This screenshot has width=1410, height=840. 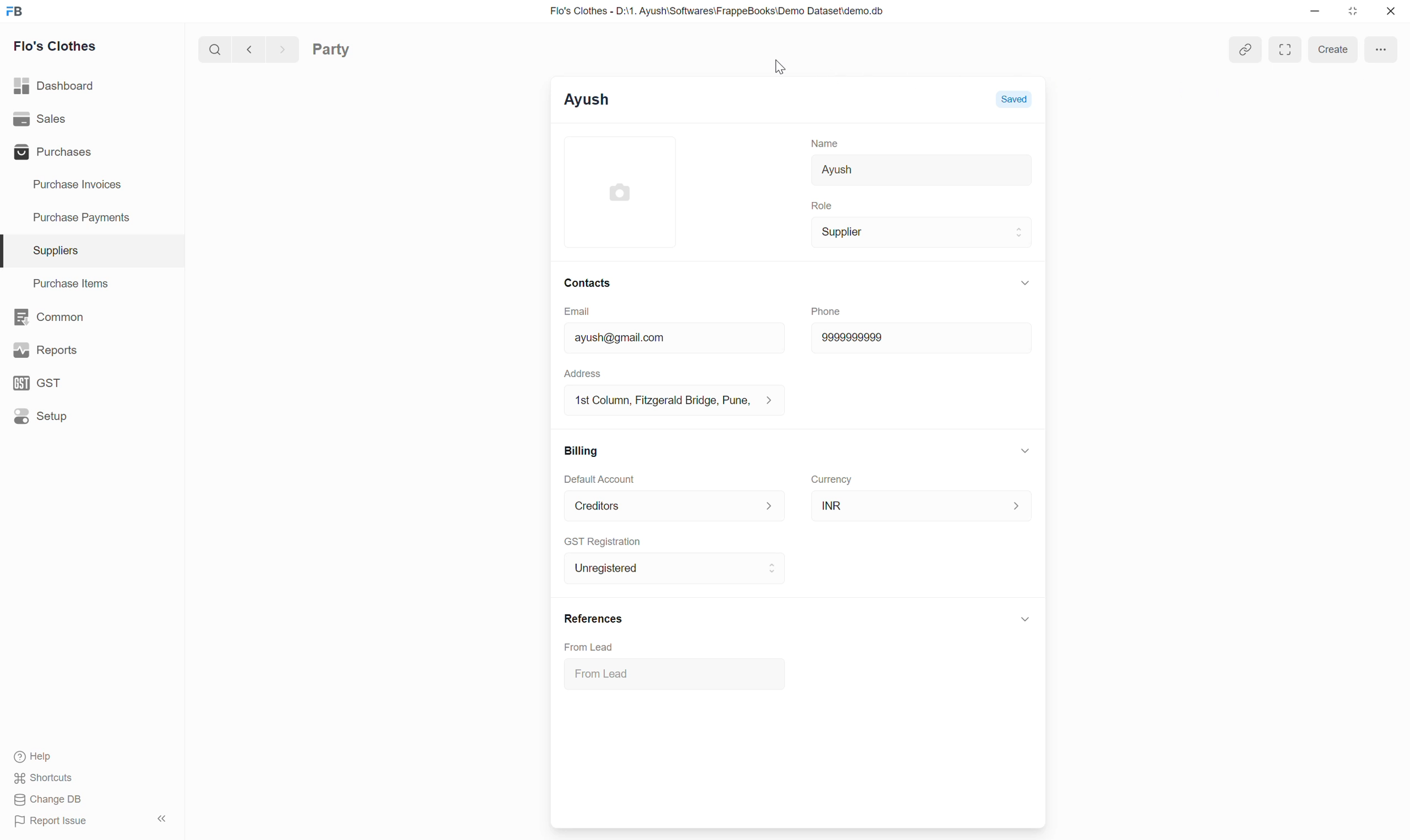 I want to click on Report Issue, so click(x=53, y=821).